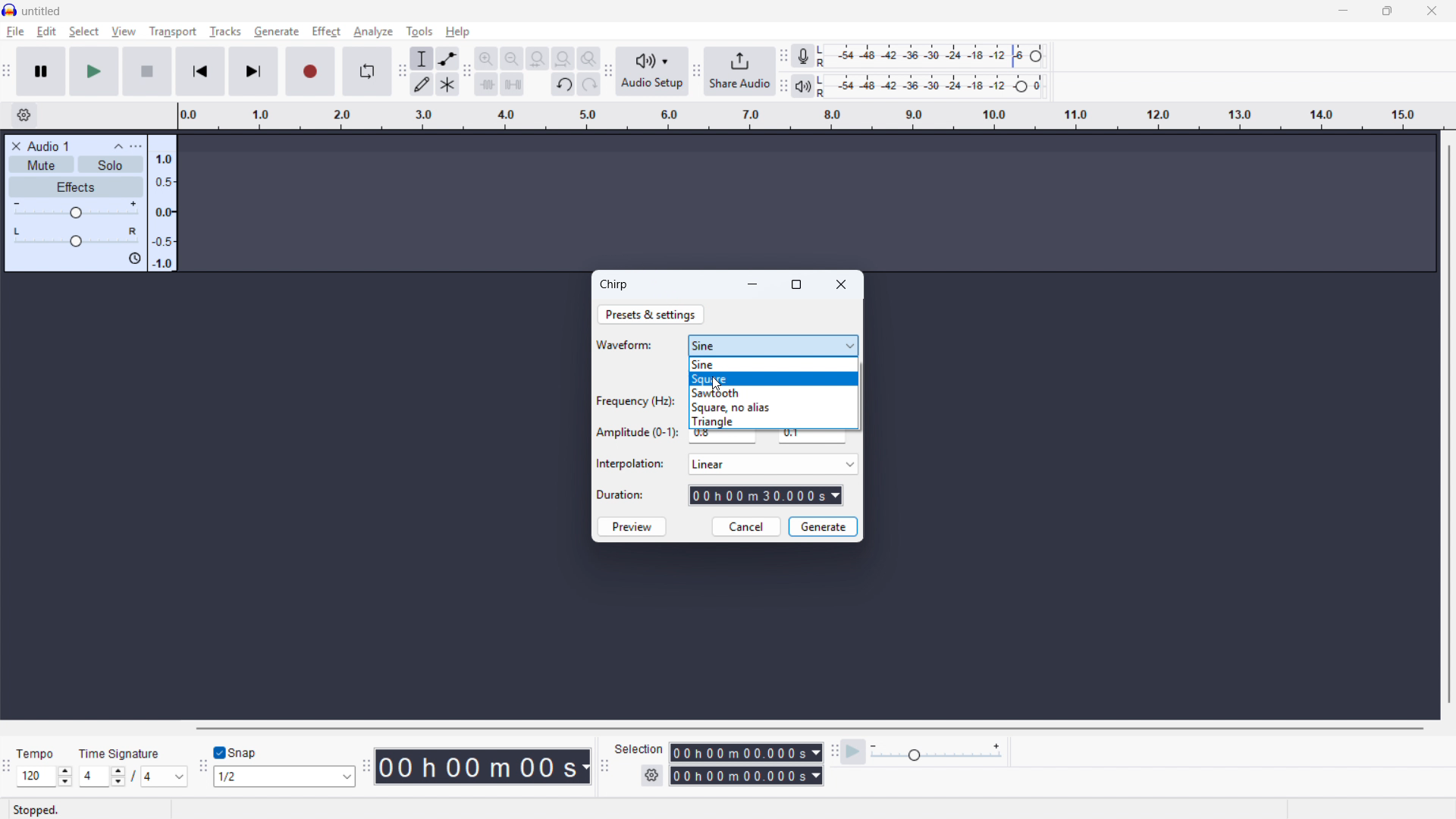 The width and height of the screenshot is (1456, 819). What do you see at coordinates (483, 767) in the screenshot?
I see `Timestamp ` at bounding box center [483, 767].